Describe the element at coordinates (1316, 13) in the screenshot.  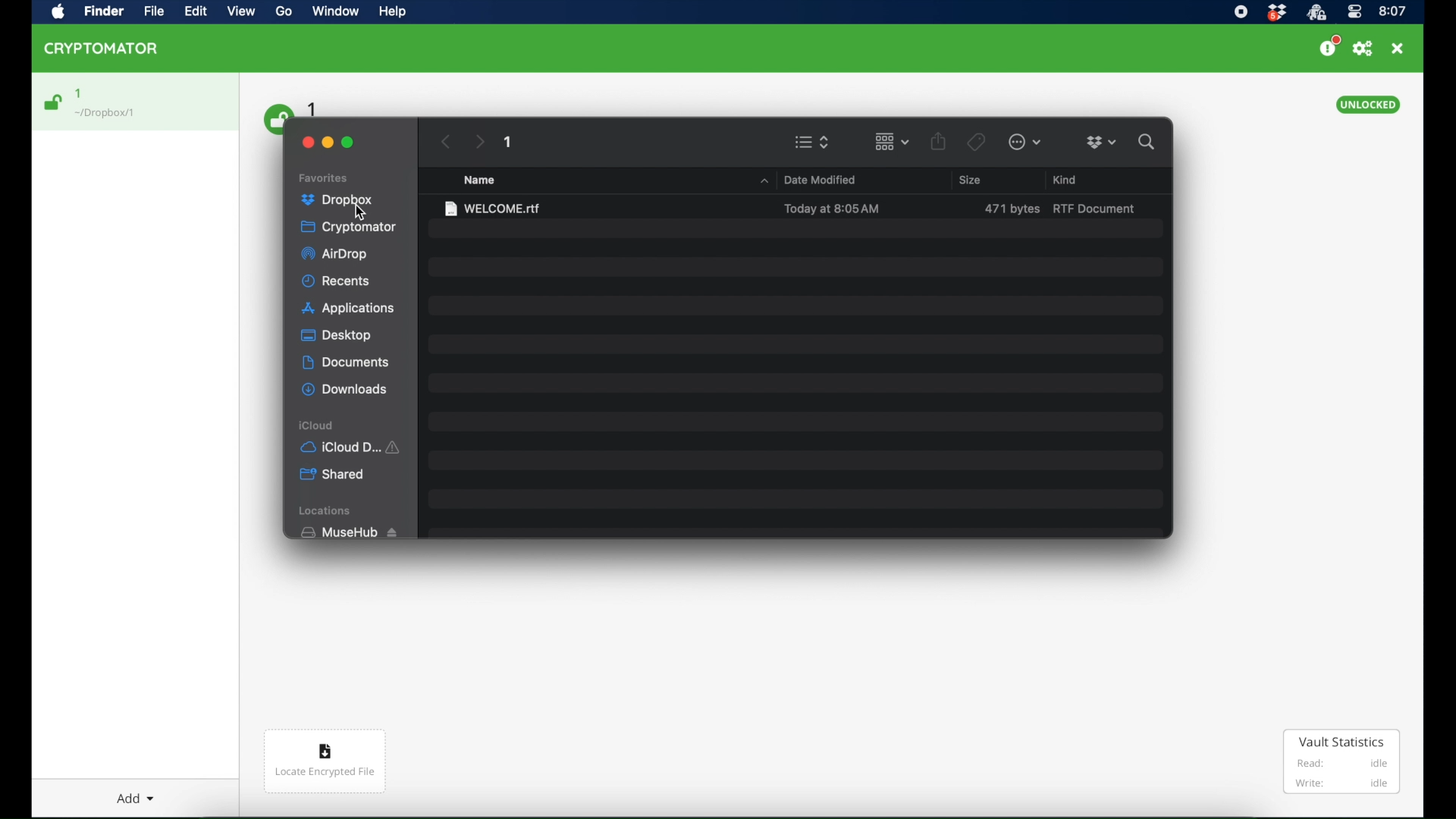
I see `crytptomator` at that location.